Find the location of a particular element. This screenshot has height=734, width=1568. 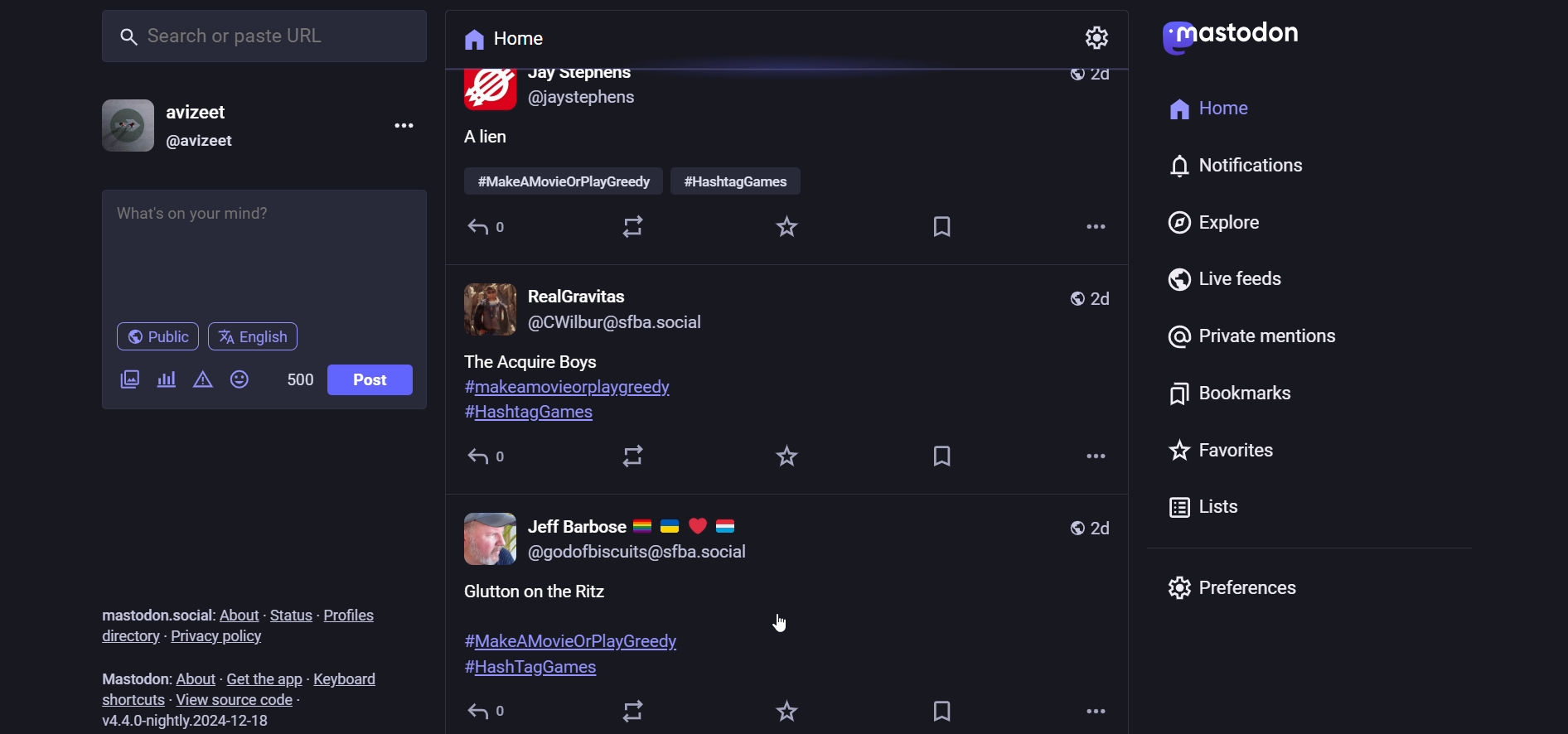

emoji is located at coordinates (243, 375).